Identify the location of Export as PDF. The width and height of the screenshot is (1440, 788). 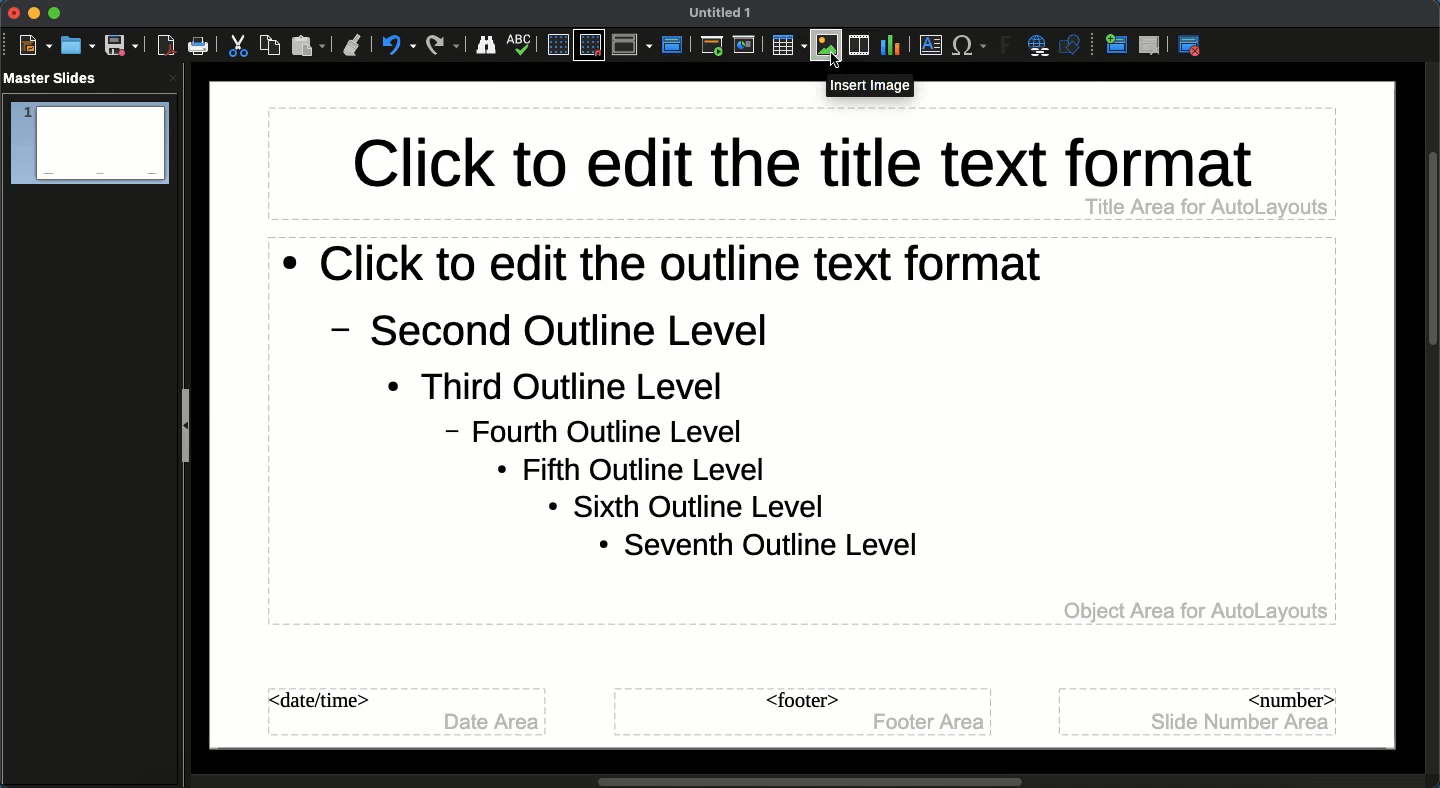
(166, 47).